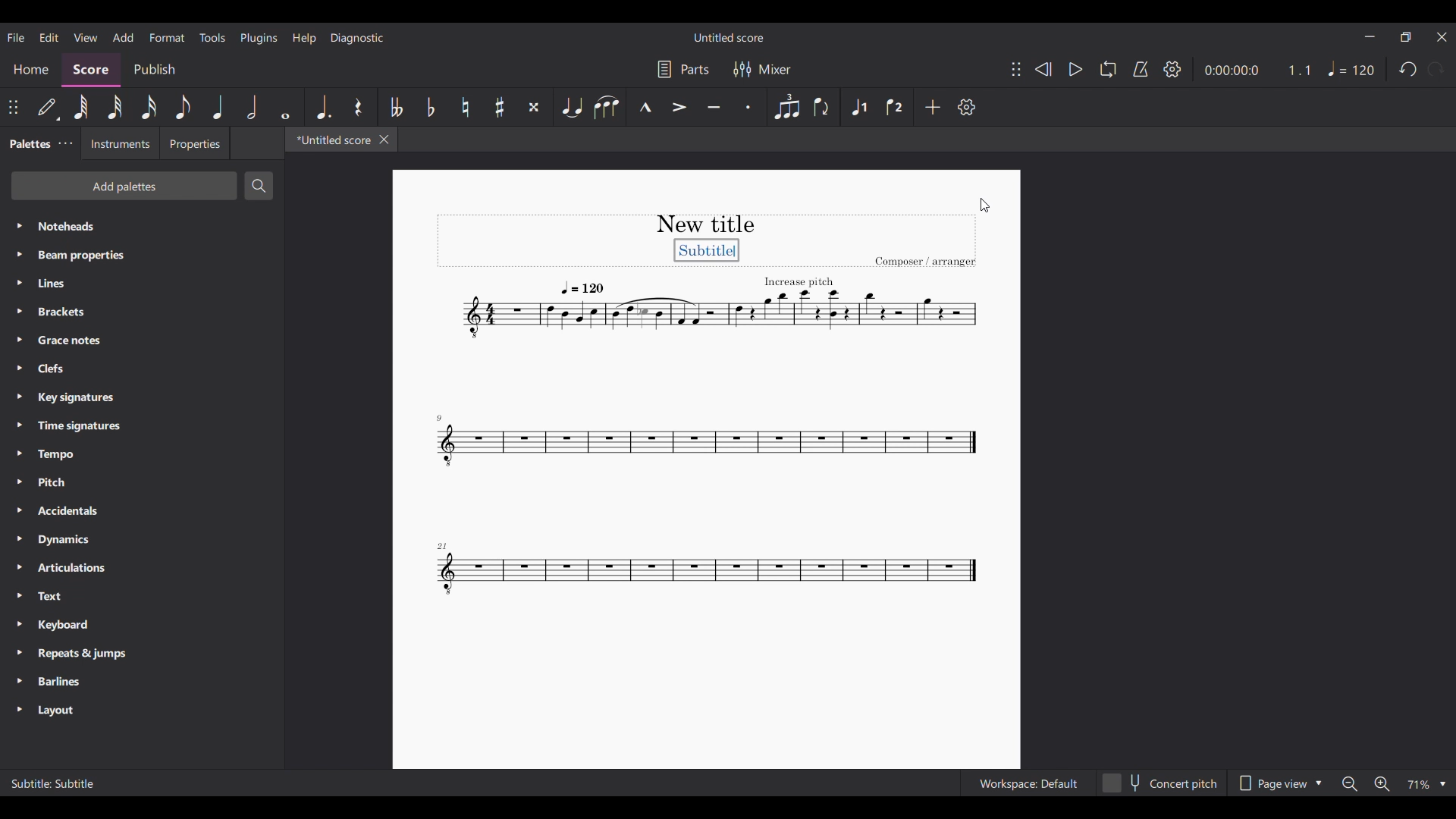  I want to click on Key signatures, so click(142, 398).